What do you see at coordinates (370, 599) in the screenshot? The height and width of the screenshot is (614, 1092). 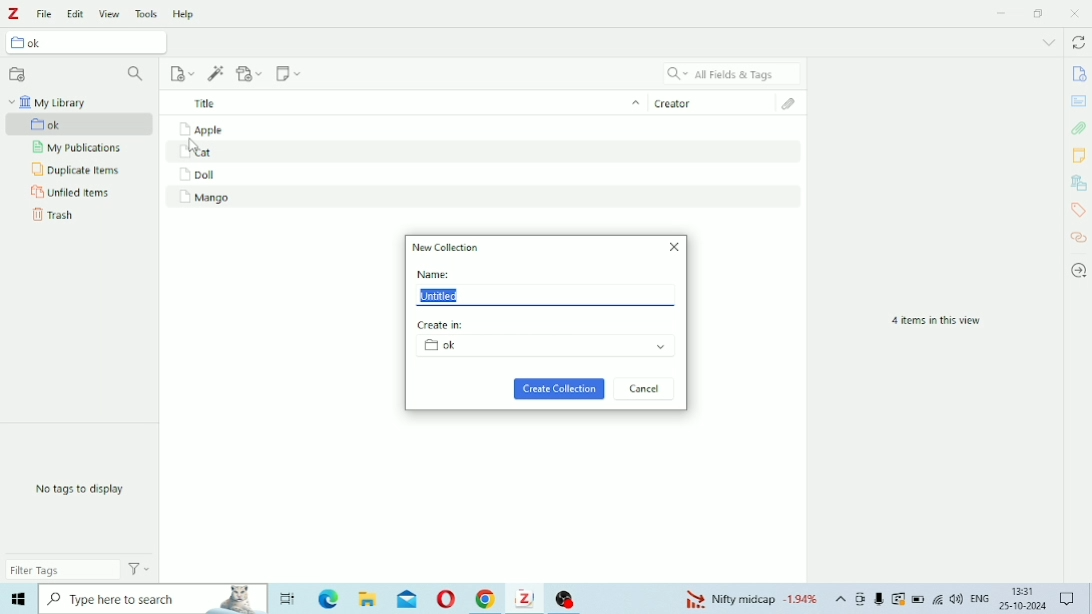 I see `File Explorer` at bounding box center [370, 599].